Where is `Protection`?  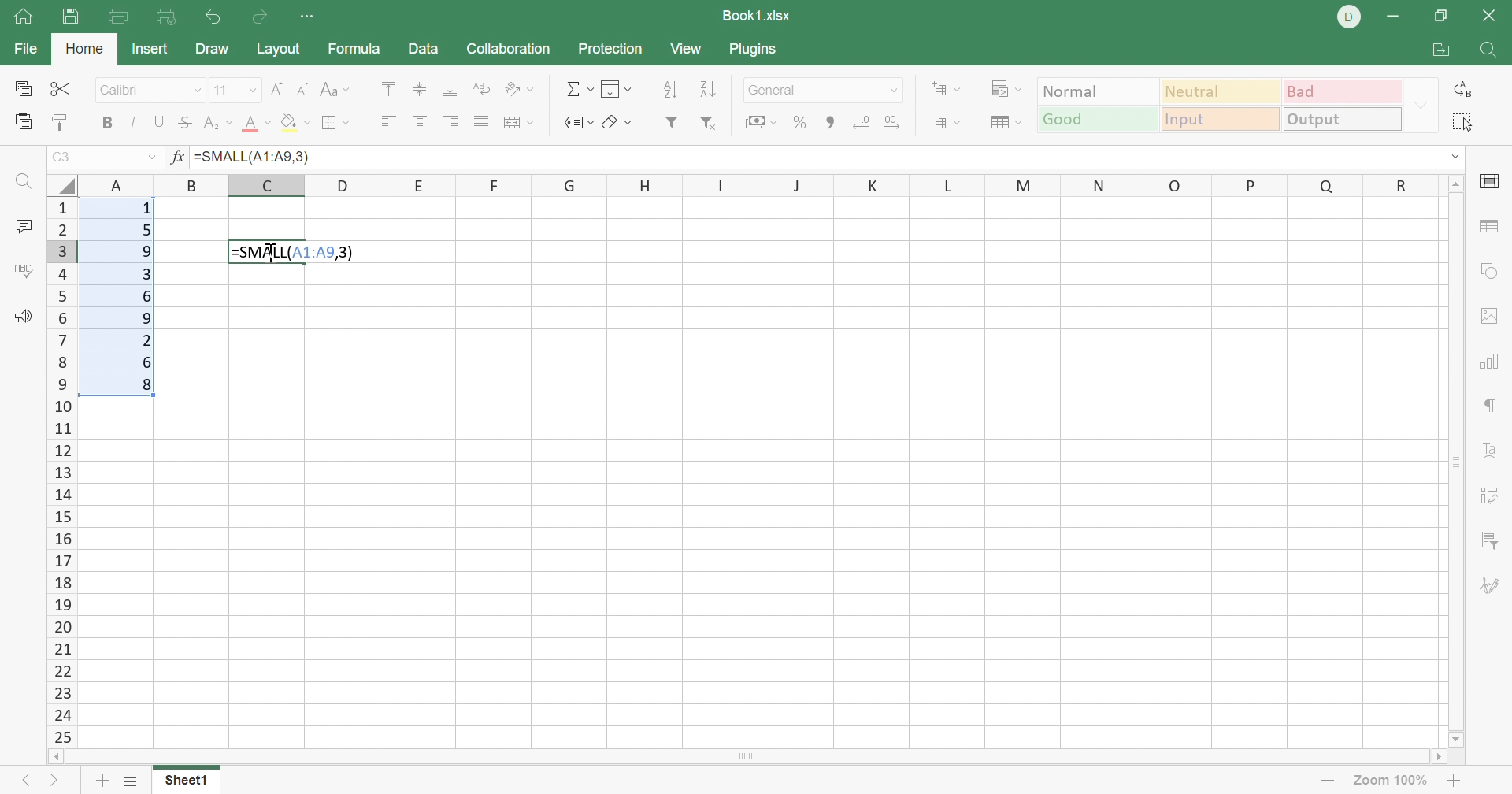 Protection is located at coordinates (609, 49).